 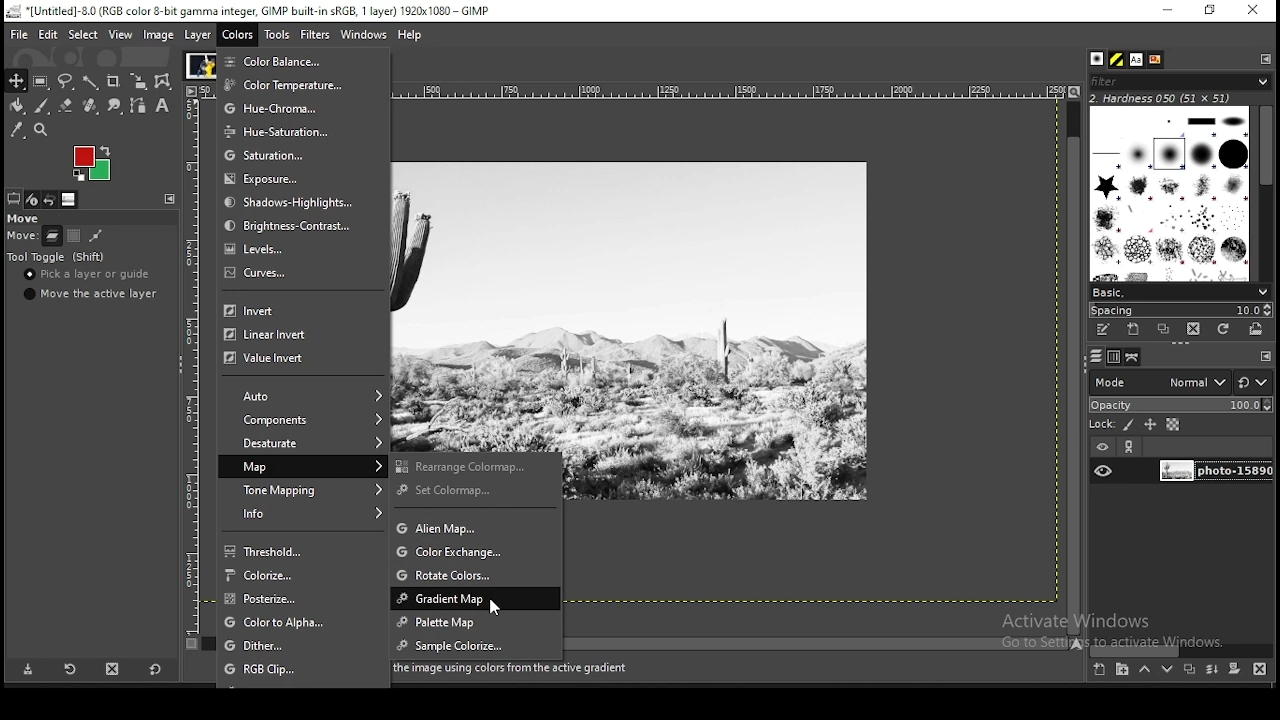 What do you see at coordinates (301, 599) in the screenshot?
I see `posterize` at bounding box center [301, 599].